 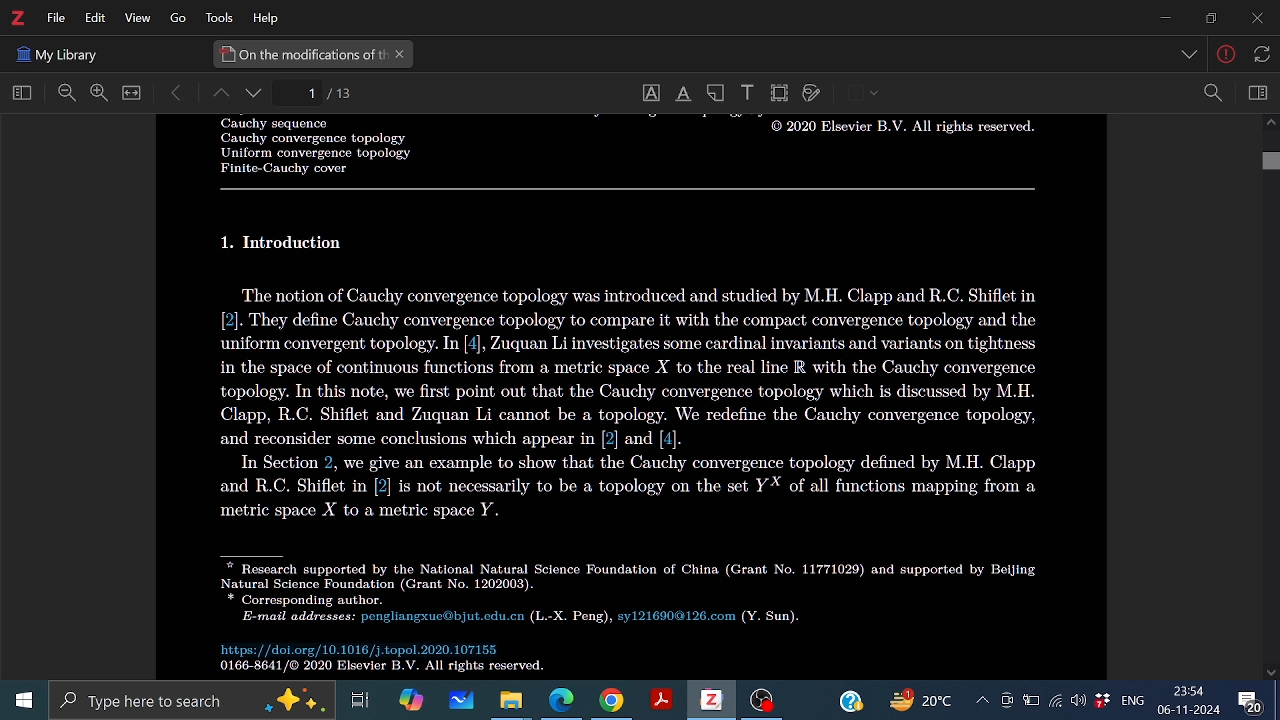 What do you see at coordinates (1255, 20) in the screenshot?
I see `Close` at bounding box center [1255, 20].